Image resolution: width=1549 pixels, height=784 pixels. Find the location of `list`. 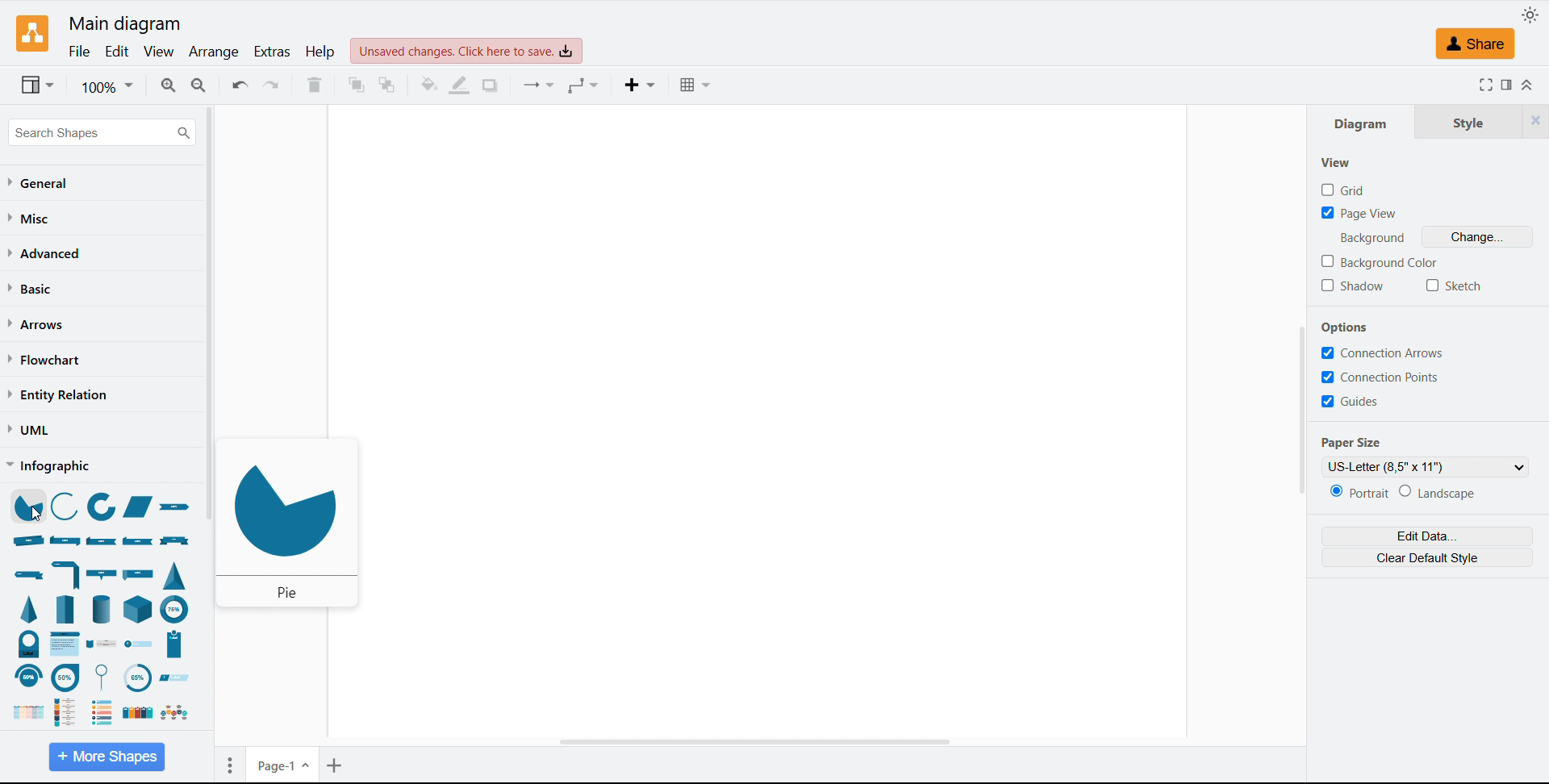

list is located at coordinates (136, 714).